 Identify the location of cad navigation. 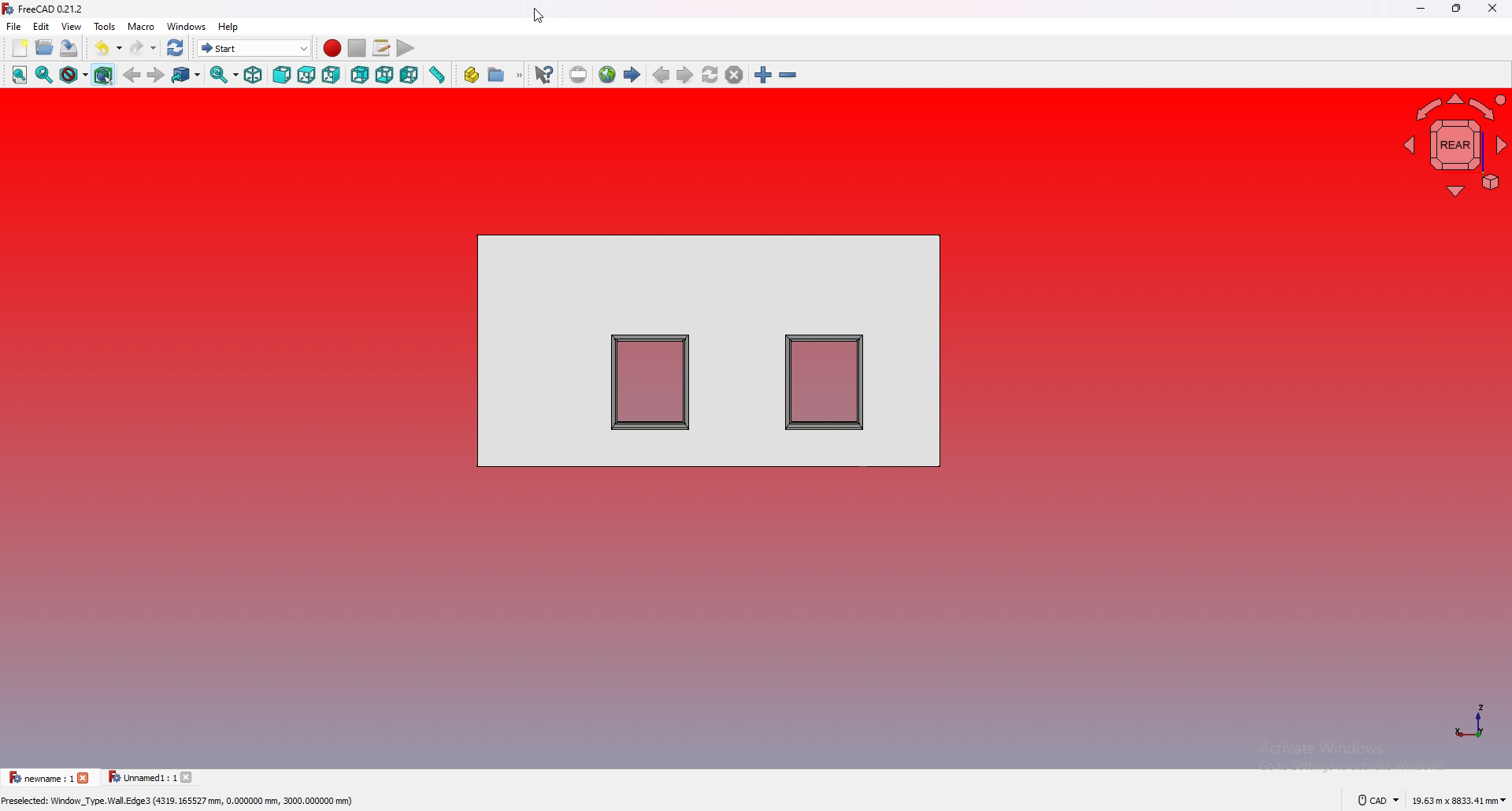
(1377, 801).